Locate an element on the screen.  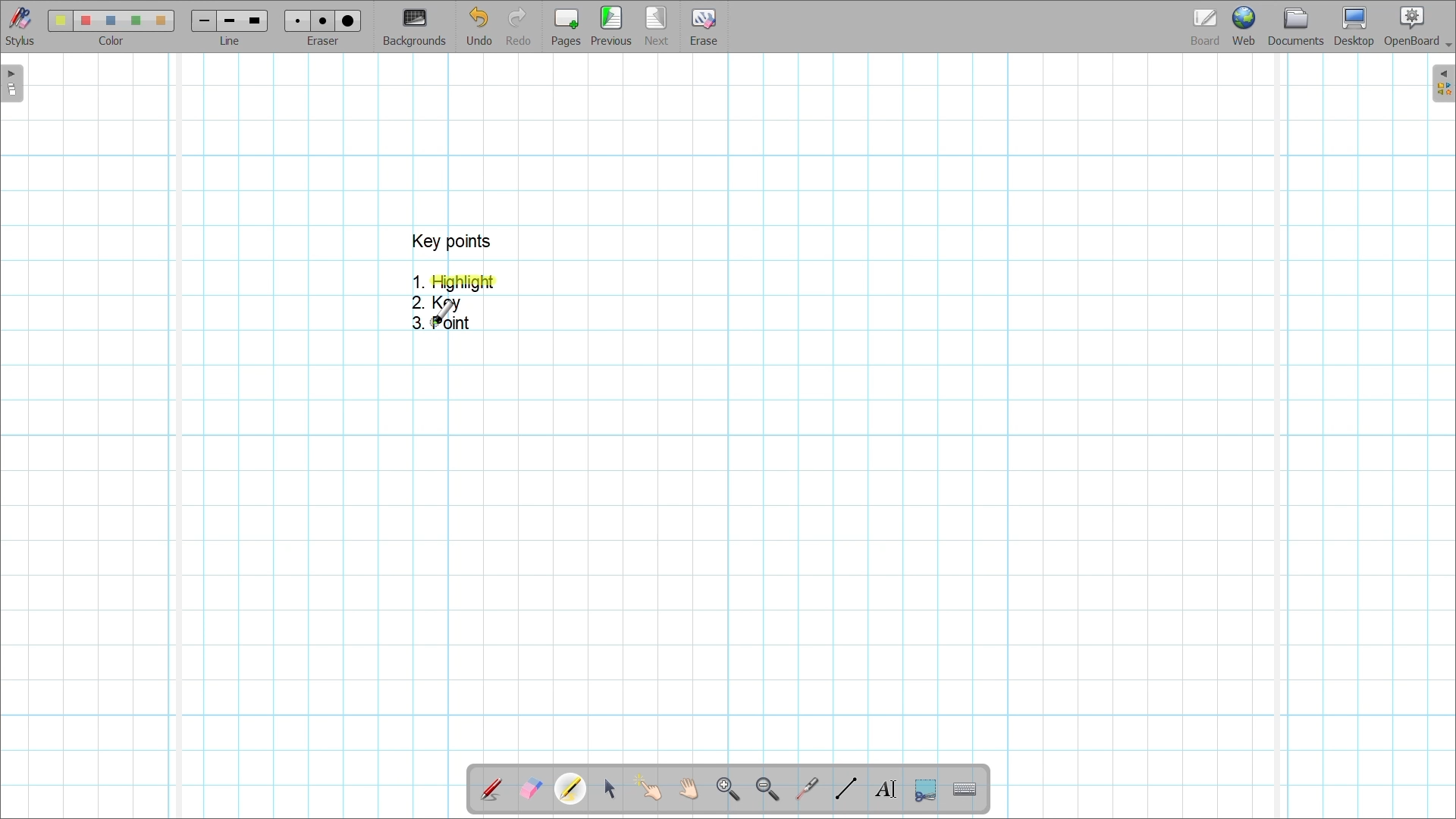
Erase entire page is located at coordinates (703, 27).